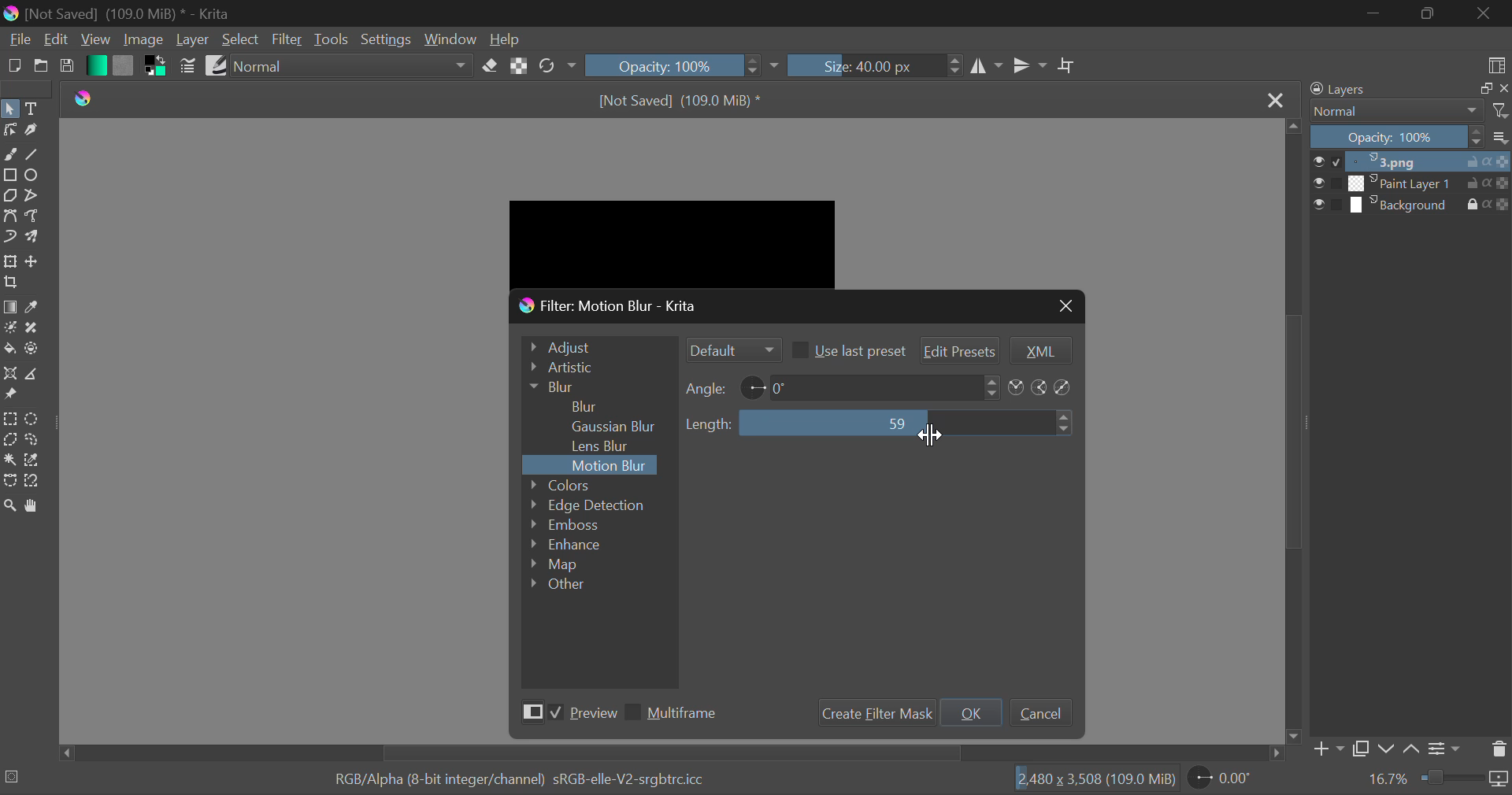 Image resolution: width=1512 pixels, height=795 pixels. What do you see at coordinates (57, 39) in the screenshot?
I see `Edit` at bounding box center [57, 39].